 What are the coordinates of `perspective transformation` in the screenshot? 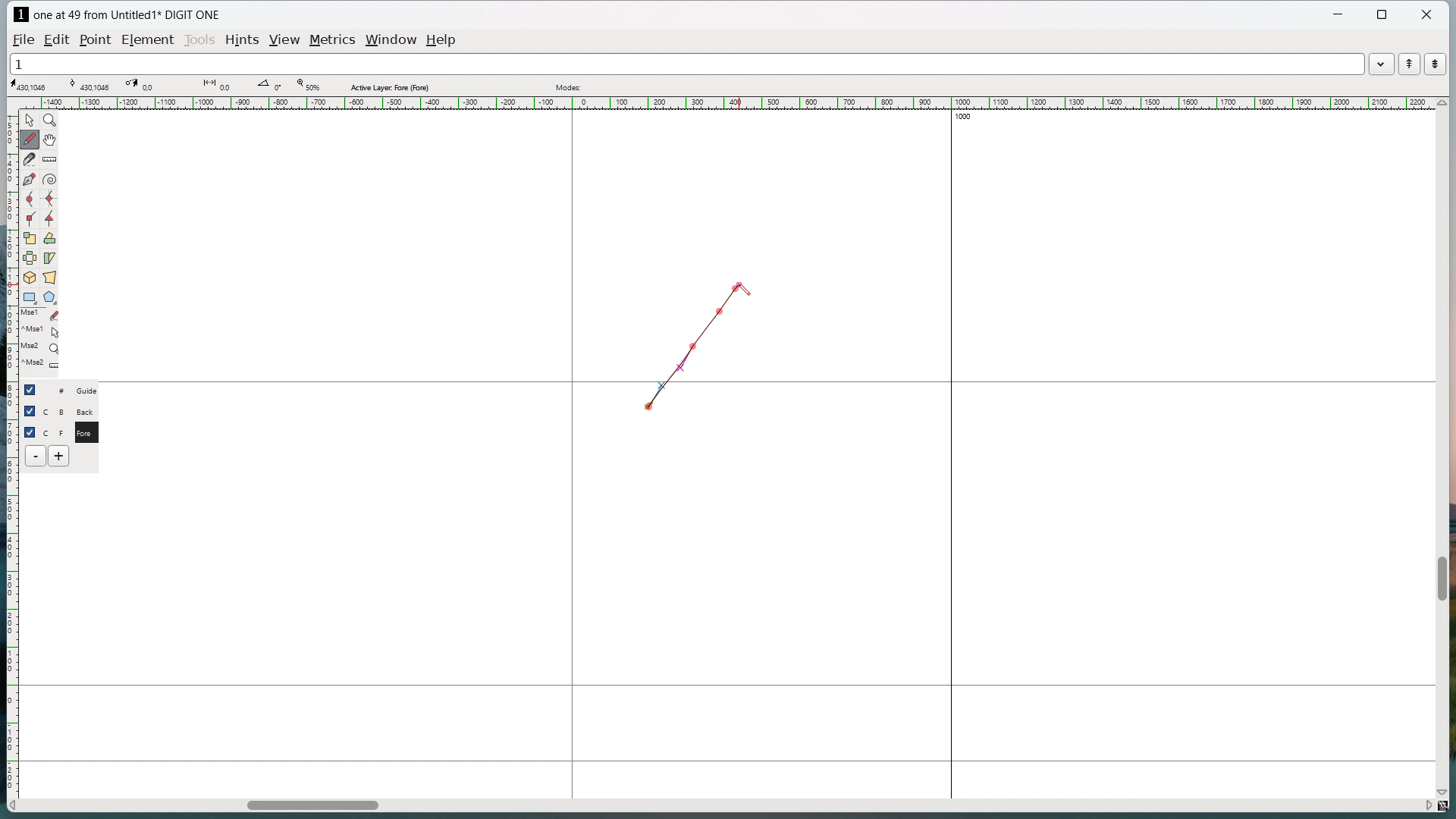 It's located at (49, 277).